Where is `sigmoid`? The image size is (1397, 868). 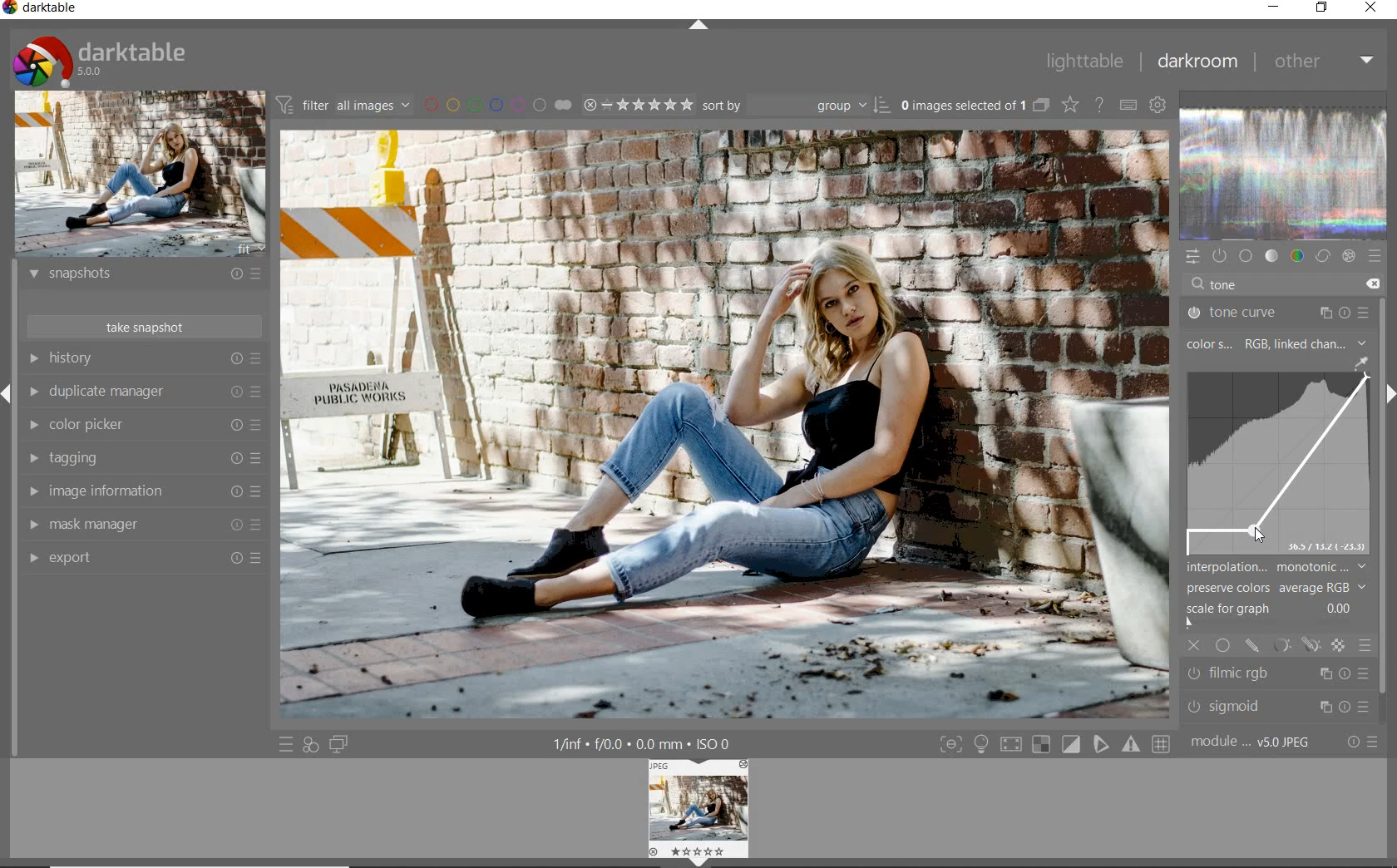 sigmoid is located at coordinates (1276, 706).